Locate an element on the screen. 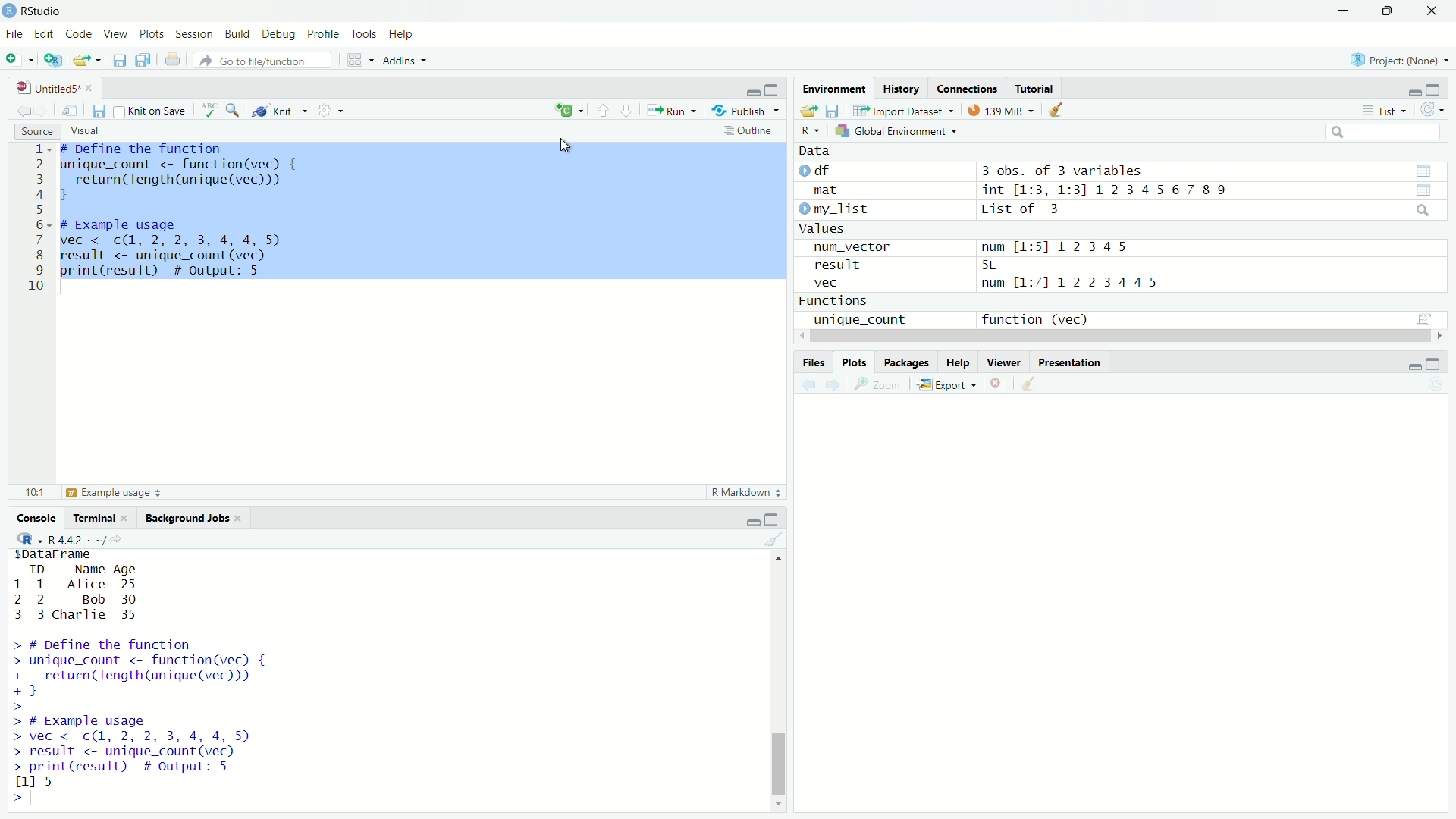  Data
O df 3 obs. of 3 variables

mat int [1:3, 1:31 123456789
Omy_list List of 3
values

num_vector num [1:5] 12345

result SL

vec num [1:7] 1223445
Functions

unique_count function (vec) is located at coordinates (1017, 237).